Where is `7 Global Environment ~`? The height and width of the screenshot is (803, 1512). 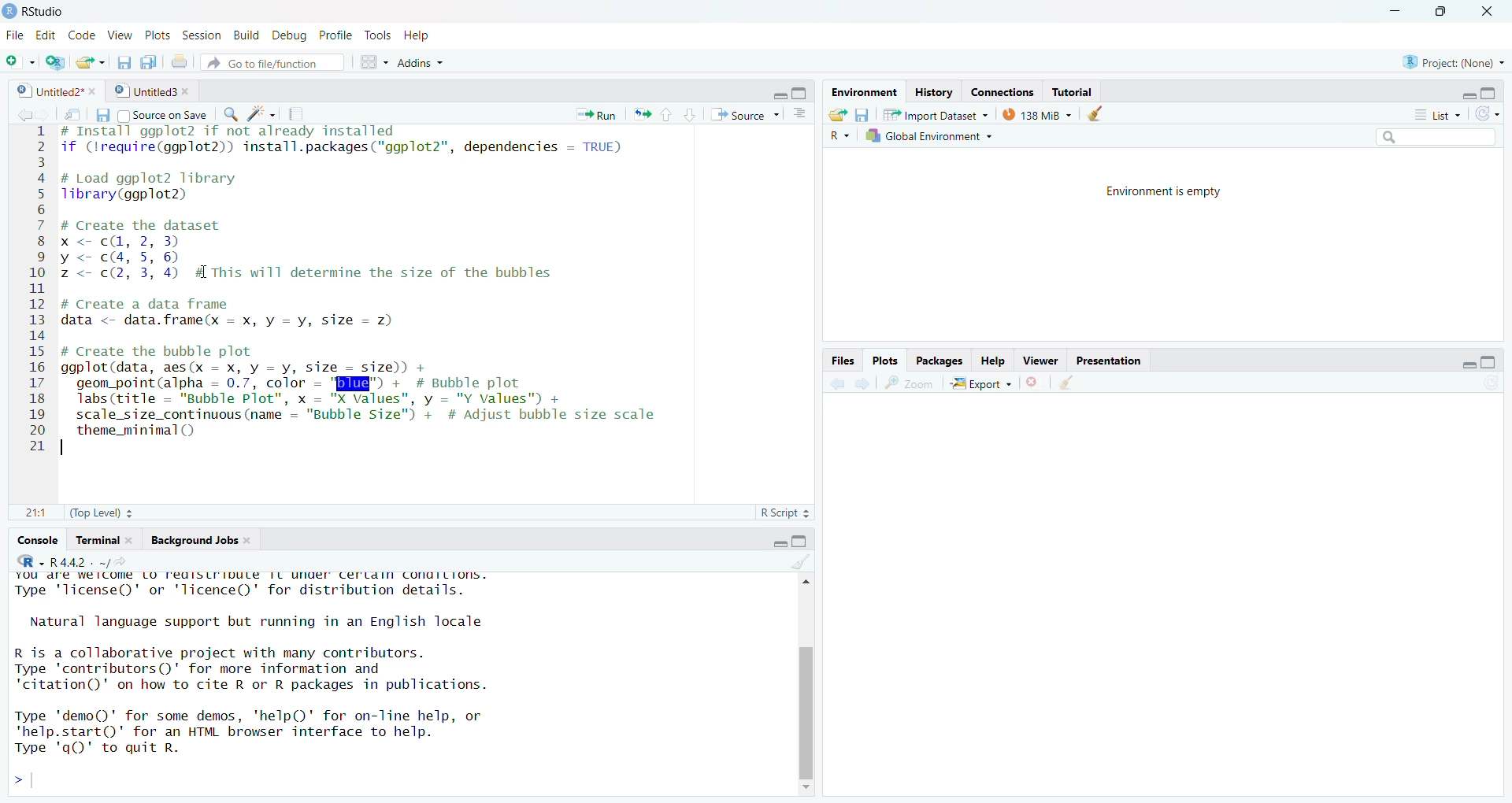 7 Global Environment ~ is located at coordinates (932, 135).